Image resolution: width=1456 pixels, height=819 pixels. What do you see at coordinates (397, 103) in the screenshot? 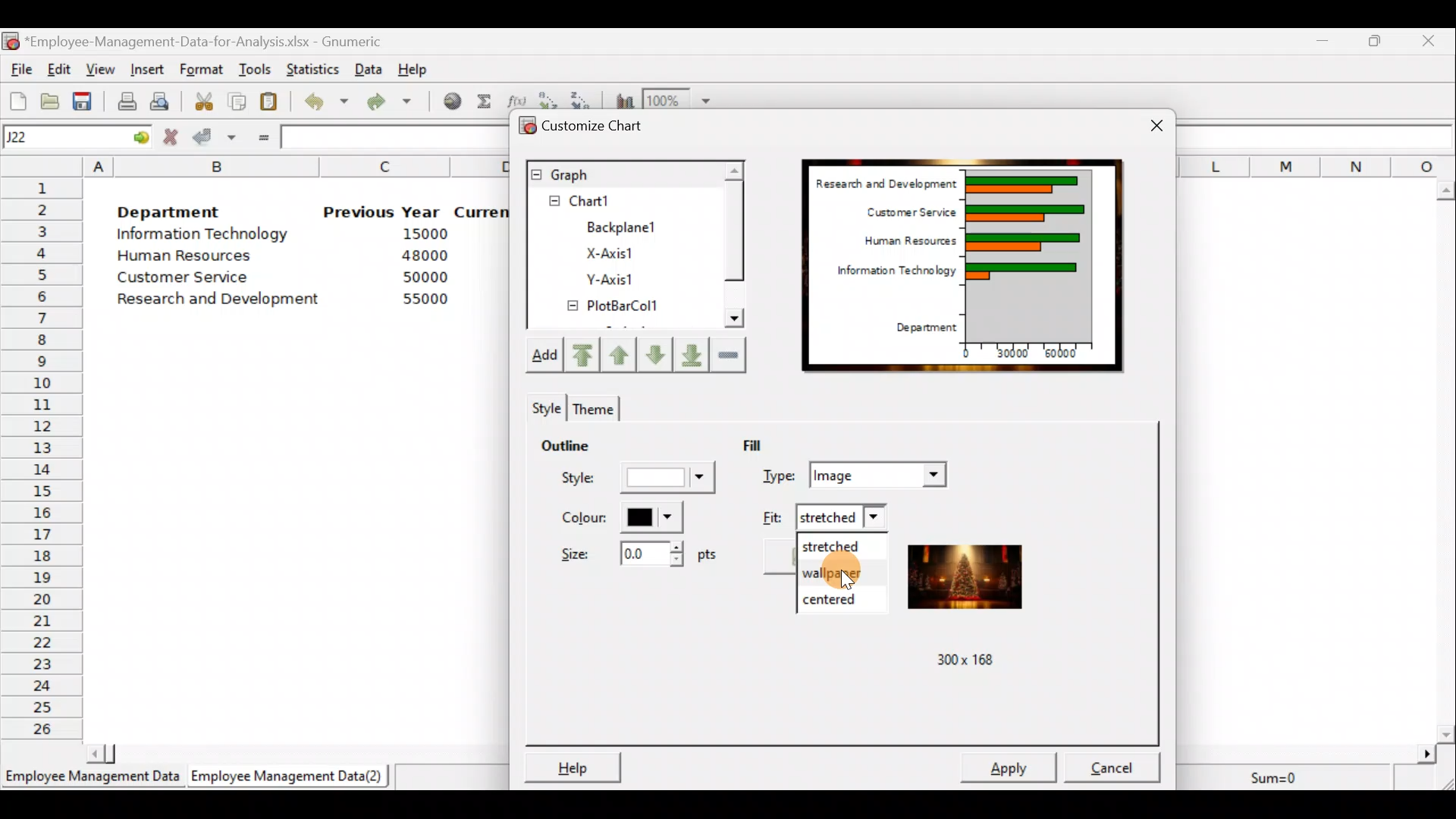
I see `Redo undone action` at bounding box center [397, 103].